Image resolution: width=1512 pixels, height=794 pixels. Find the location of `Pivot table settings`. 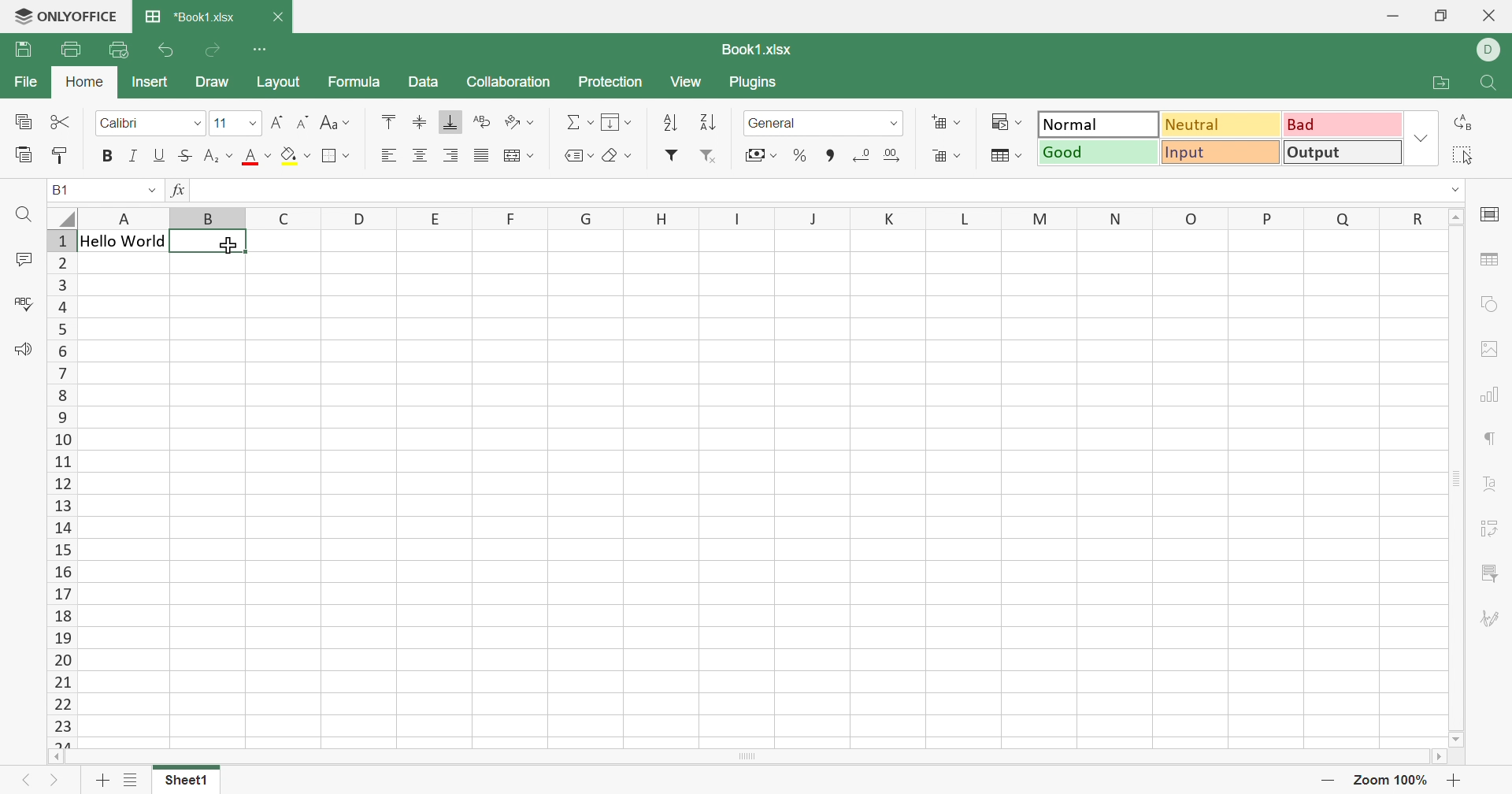

Pivot table settings is located at coordinates (1488, 530).